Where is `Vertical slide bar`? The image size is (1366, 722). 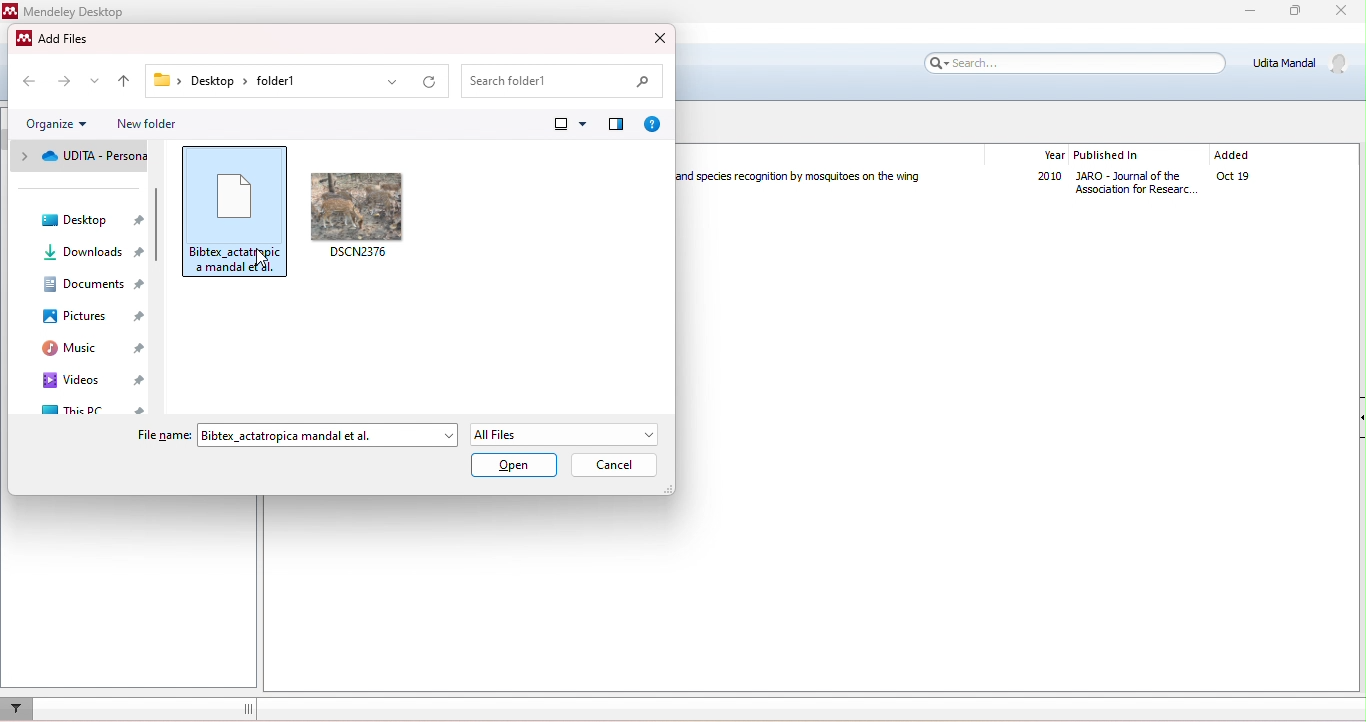
Vertical slide bar is located at coordinates (156, 224).